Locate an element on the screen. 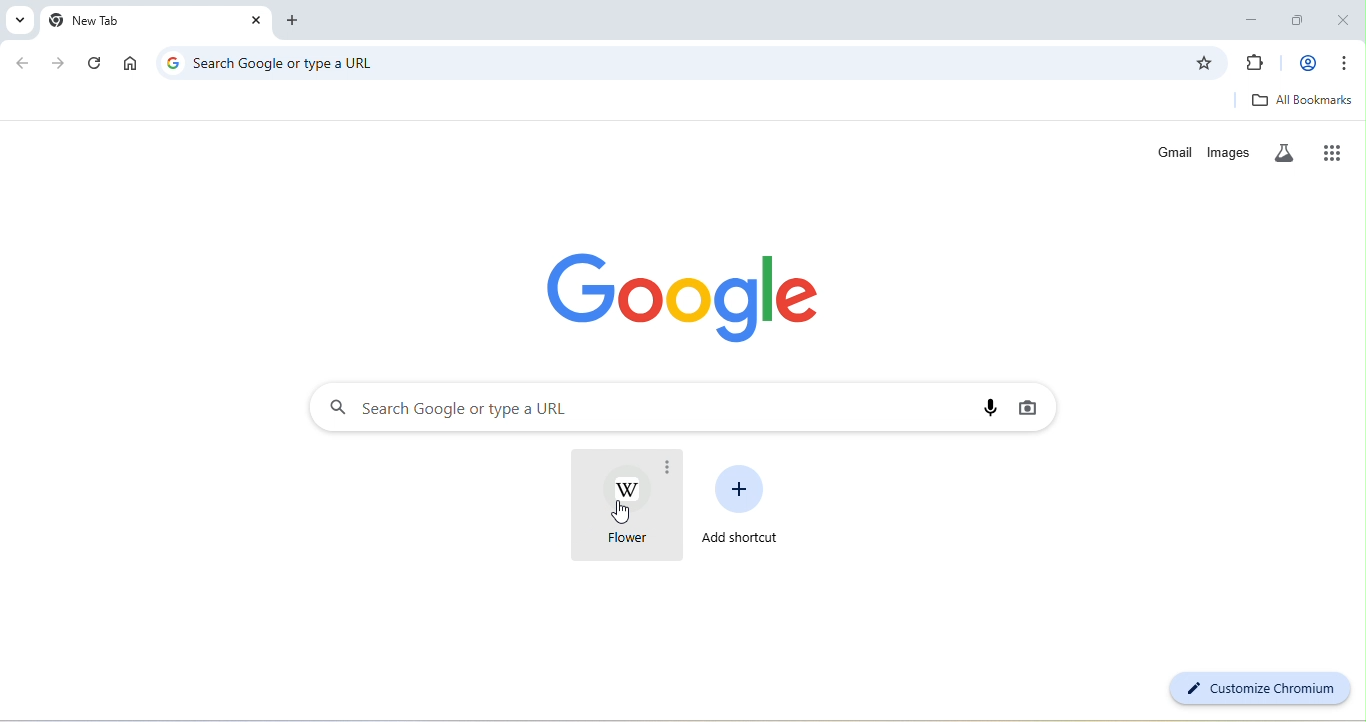 The width and height of the screenshot is (1366, 722). google is located at coordinates (691, 295).